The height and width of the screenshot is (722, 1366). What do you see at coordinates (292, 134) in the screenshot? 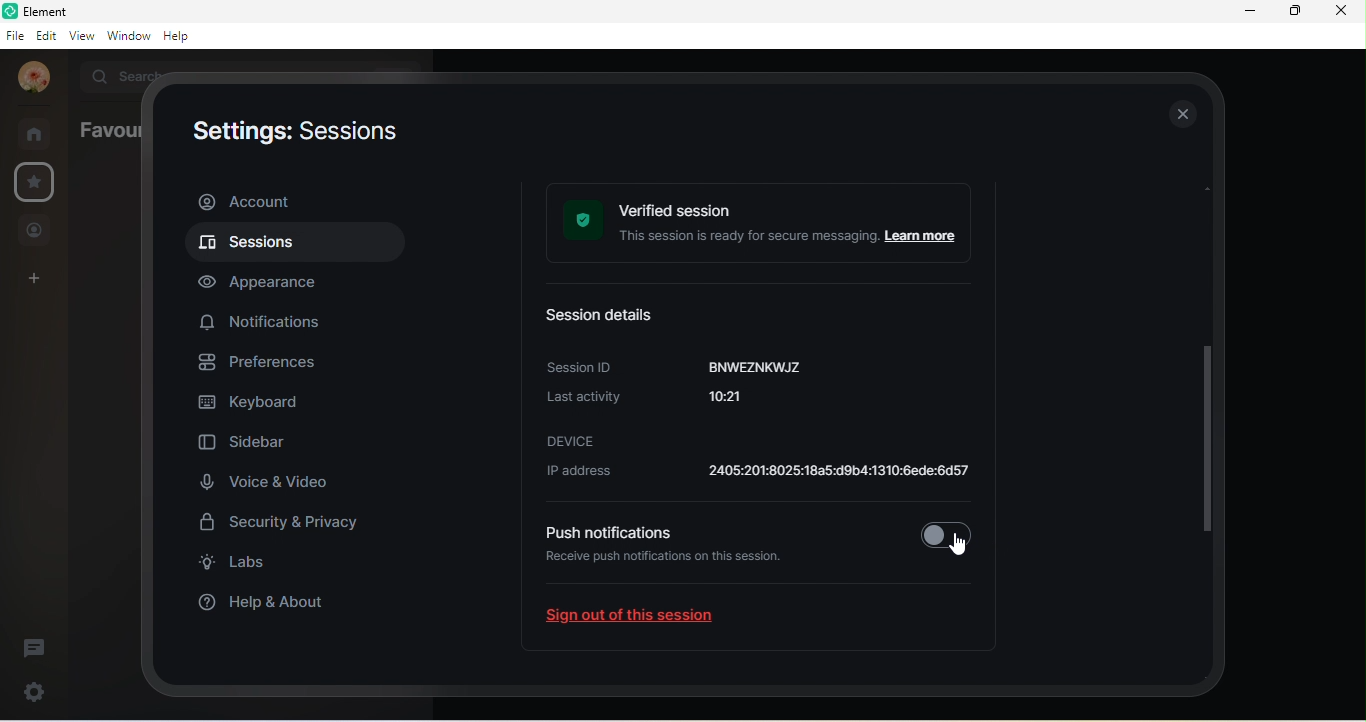
I see `settings : sessions` at bounding box center [292, 134].